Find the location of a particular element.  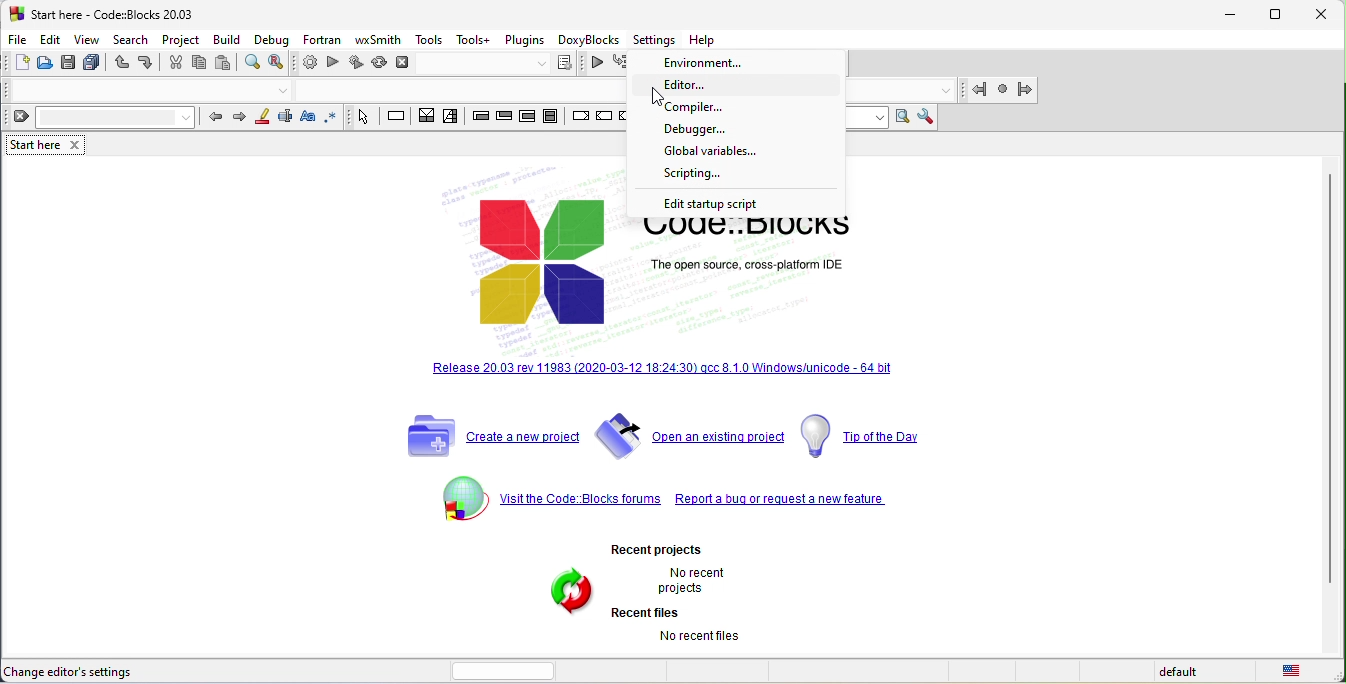

visit the code blocks forum report a bug  is located at coordinates (676, 497).